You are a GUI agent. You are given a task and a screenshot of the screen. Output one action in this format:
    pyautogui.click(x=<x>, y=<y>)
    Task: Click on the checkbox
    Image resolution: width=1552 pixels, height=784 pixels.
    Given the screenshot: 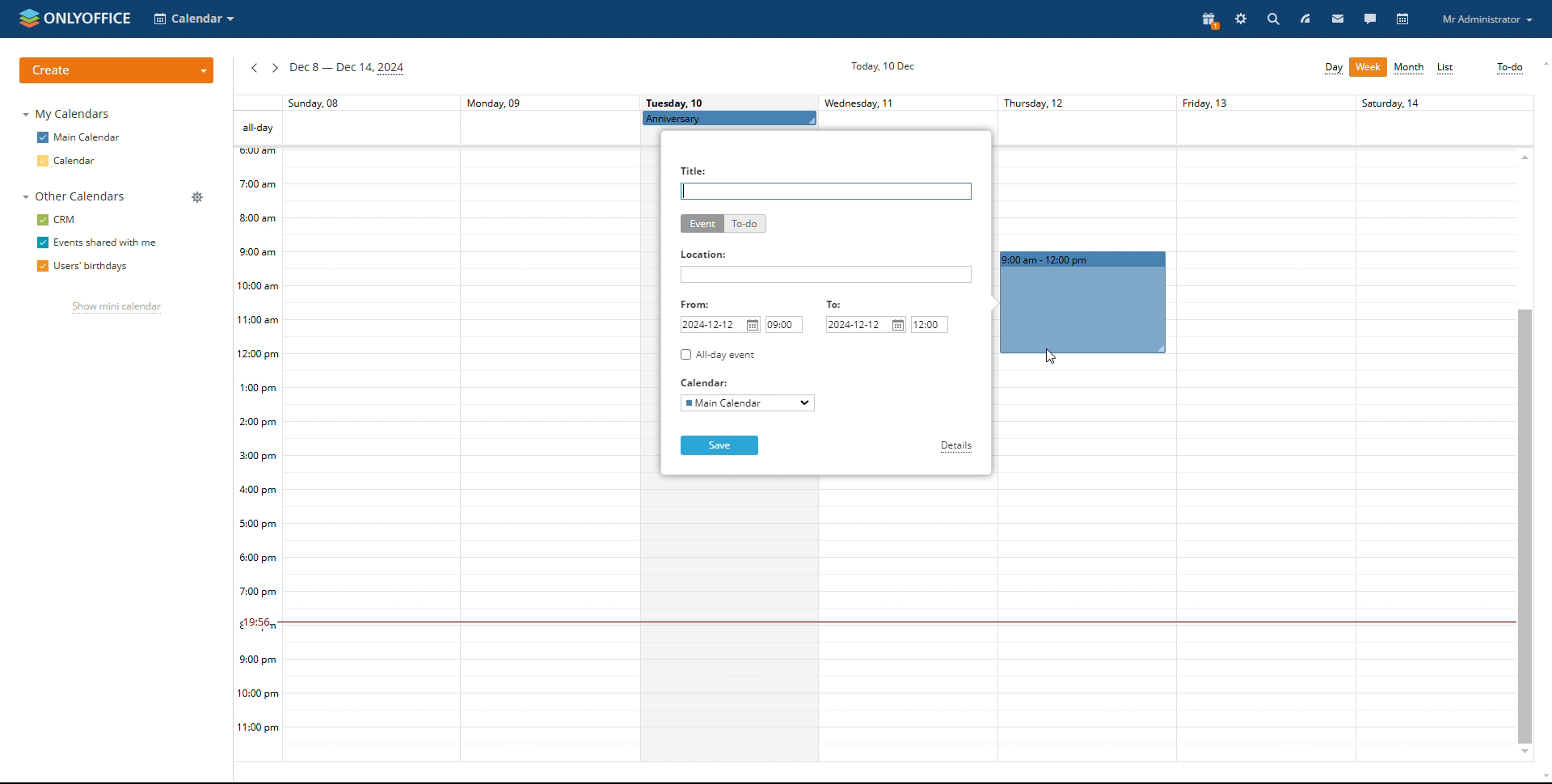 What is the action you would take?
    pyautogui.click(x=42, y=137)
    